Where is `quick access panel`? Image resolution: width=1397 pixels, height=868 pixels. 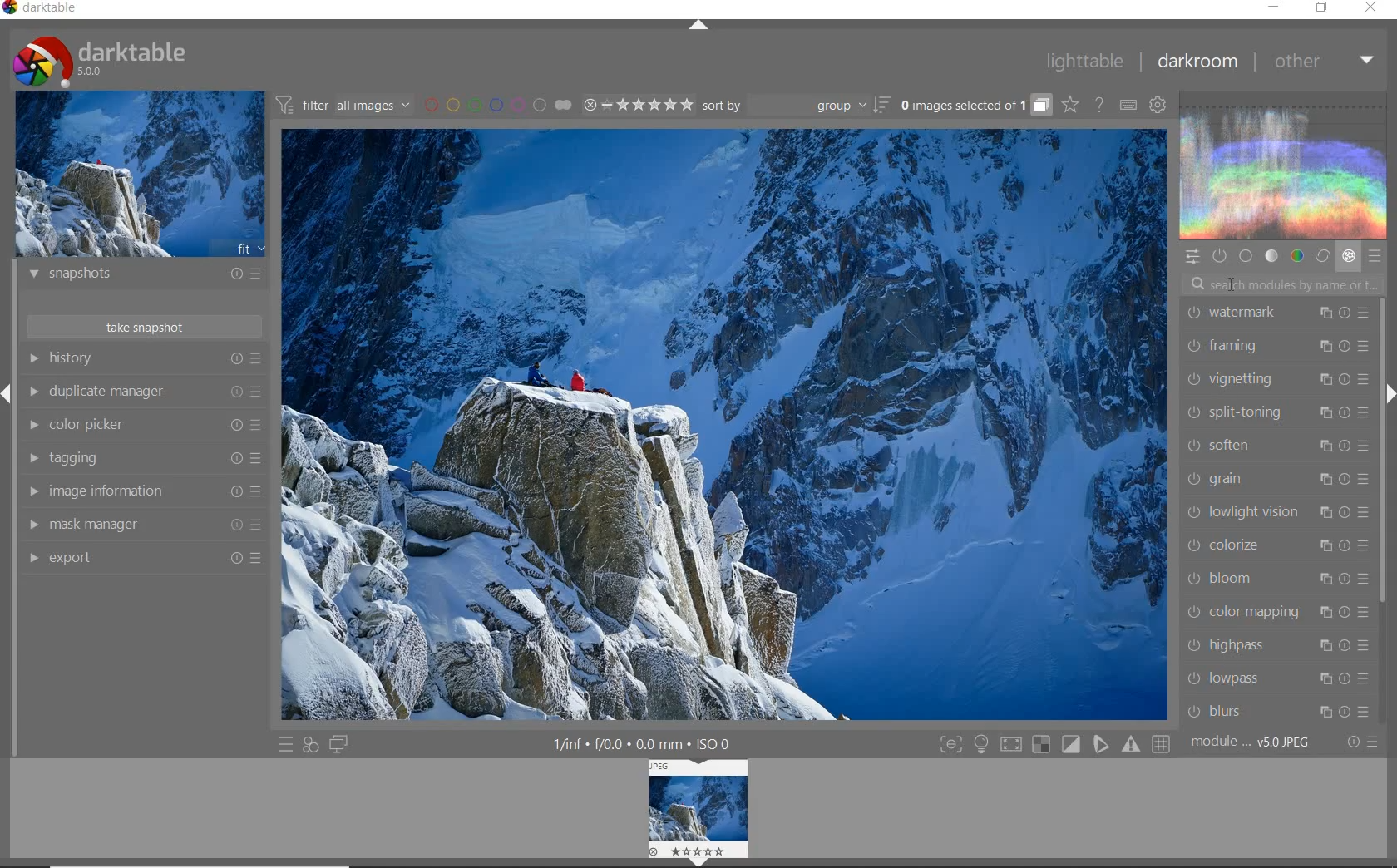
quick access panel is located at coordinates (1191, 257).